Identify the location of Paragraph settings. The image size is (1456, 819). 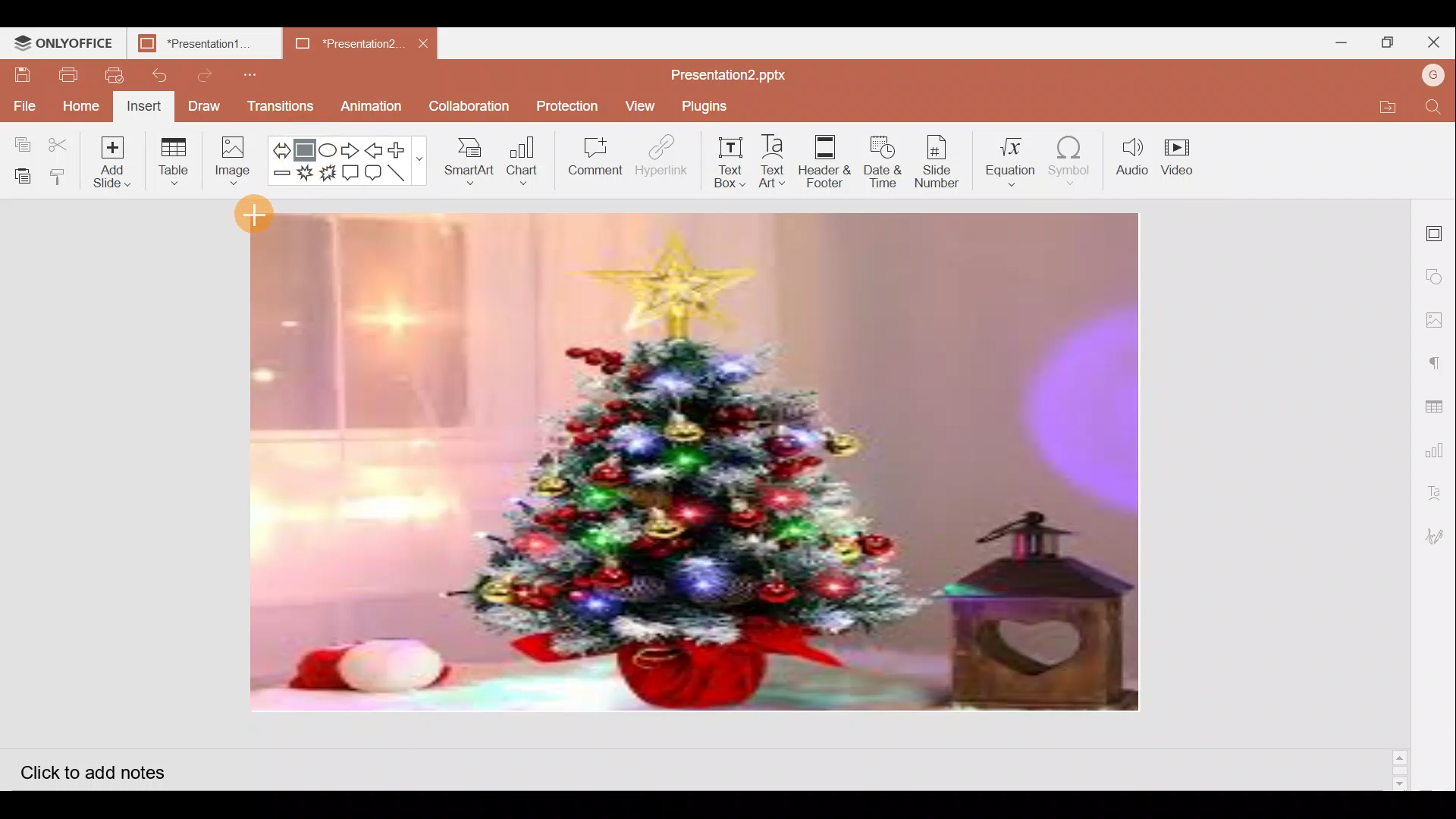
(1441, 357).